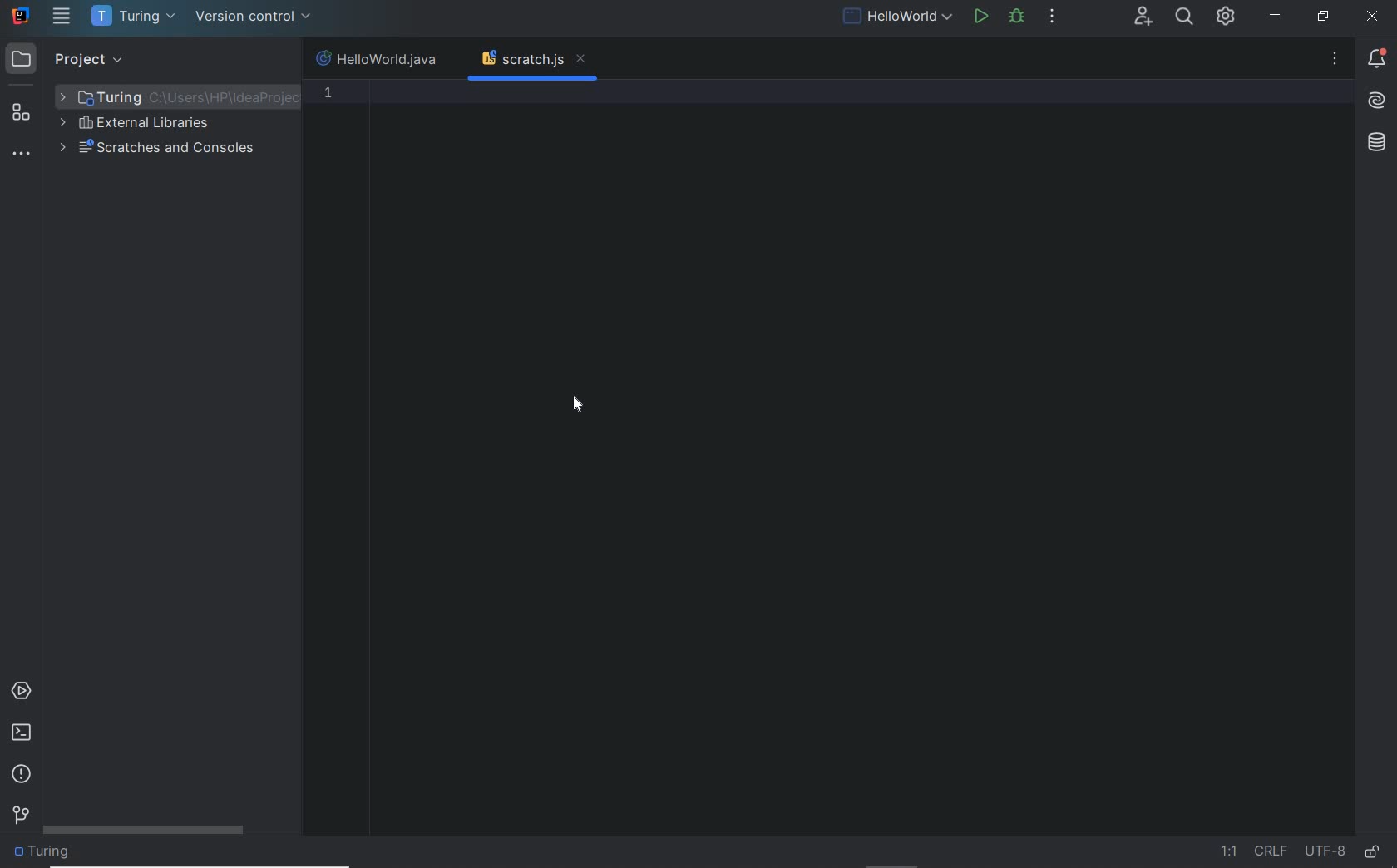 Image resolution: width=1397 pixels, height=868 pixels. What do you see at coordinates (159, 150) in the screenshot?
I see `scratches and consoles` at bounding box center [159, 150].